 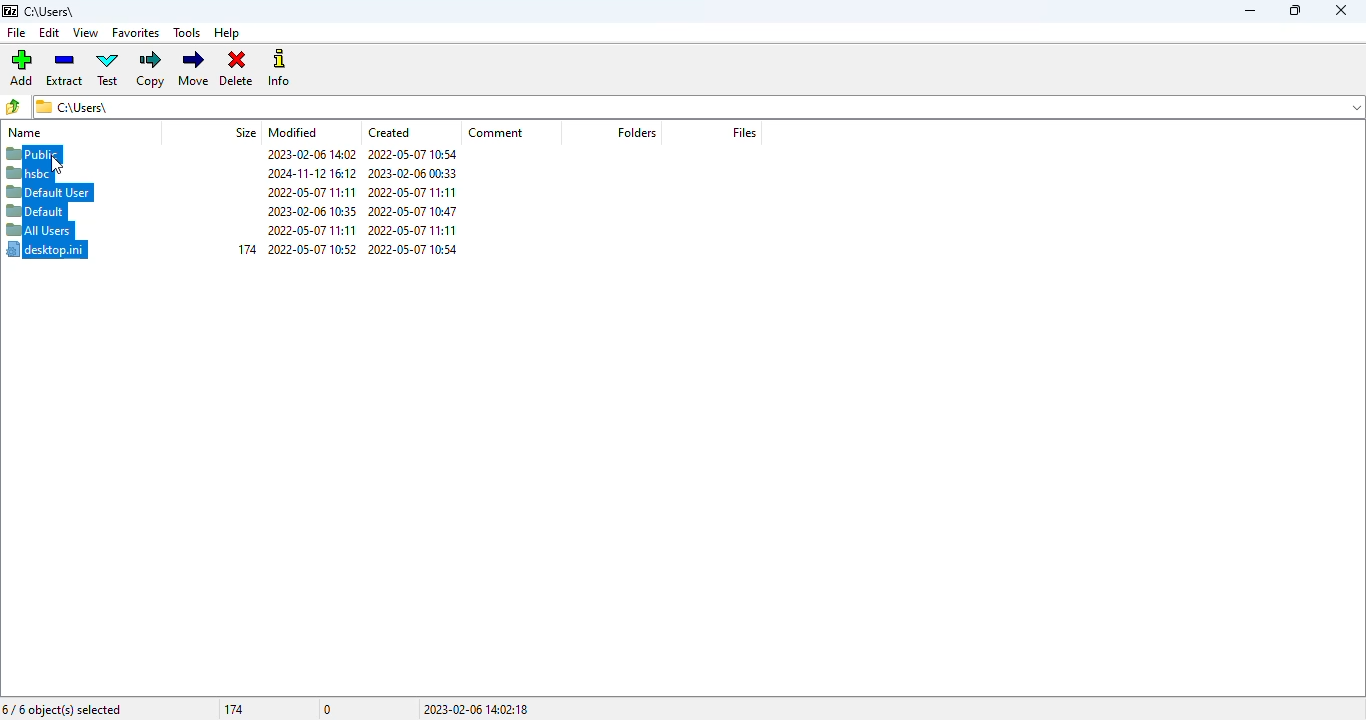 What do you see at coordinates (306, 212) in the screenshot?
I see `2023-02-06 10:35` at bounding box center [306, 212].